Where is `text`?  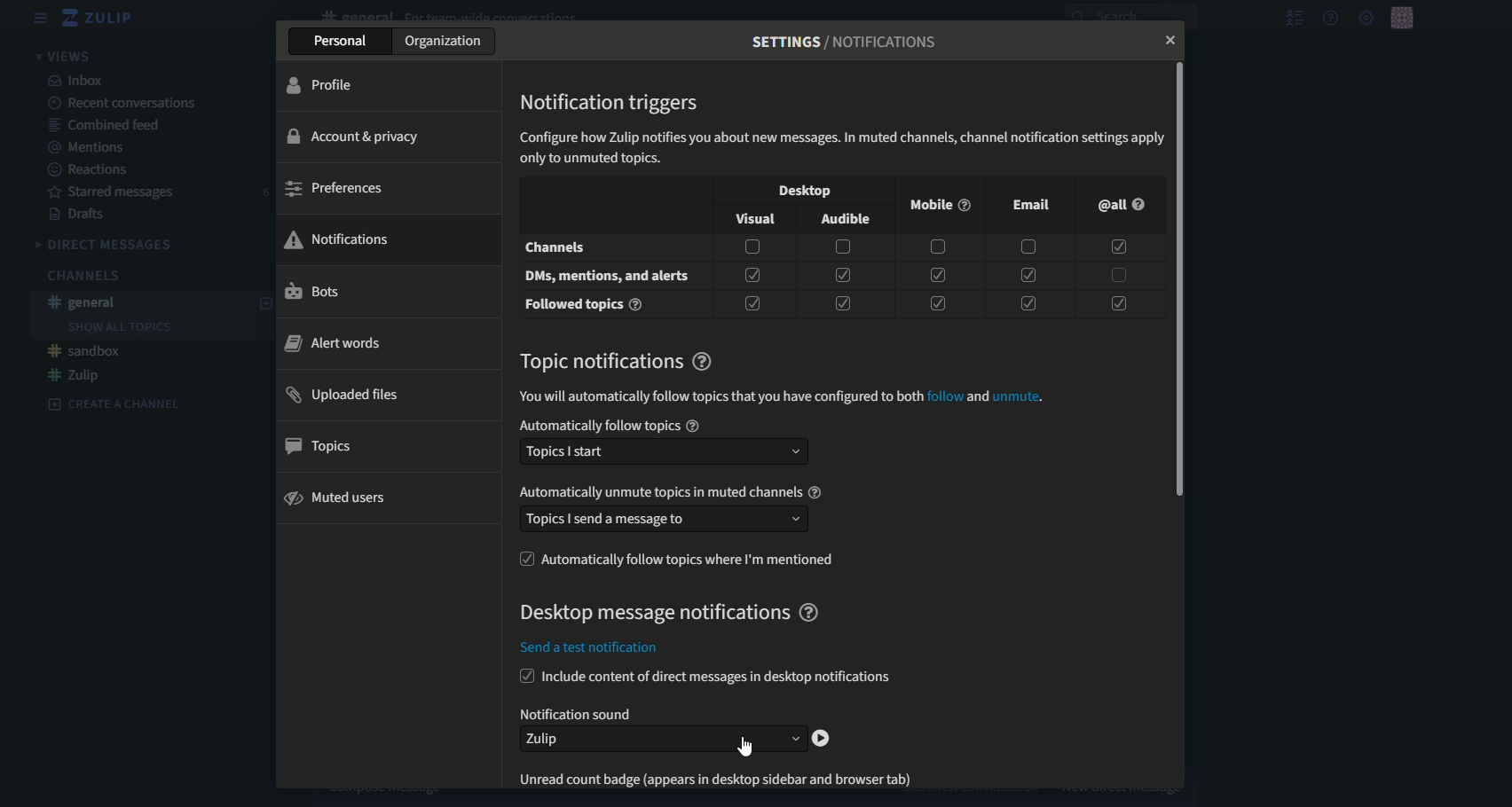 text is located at coordinates (728, 776).